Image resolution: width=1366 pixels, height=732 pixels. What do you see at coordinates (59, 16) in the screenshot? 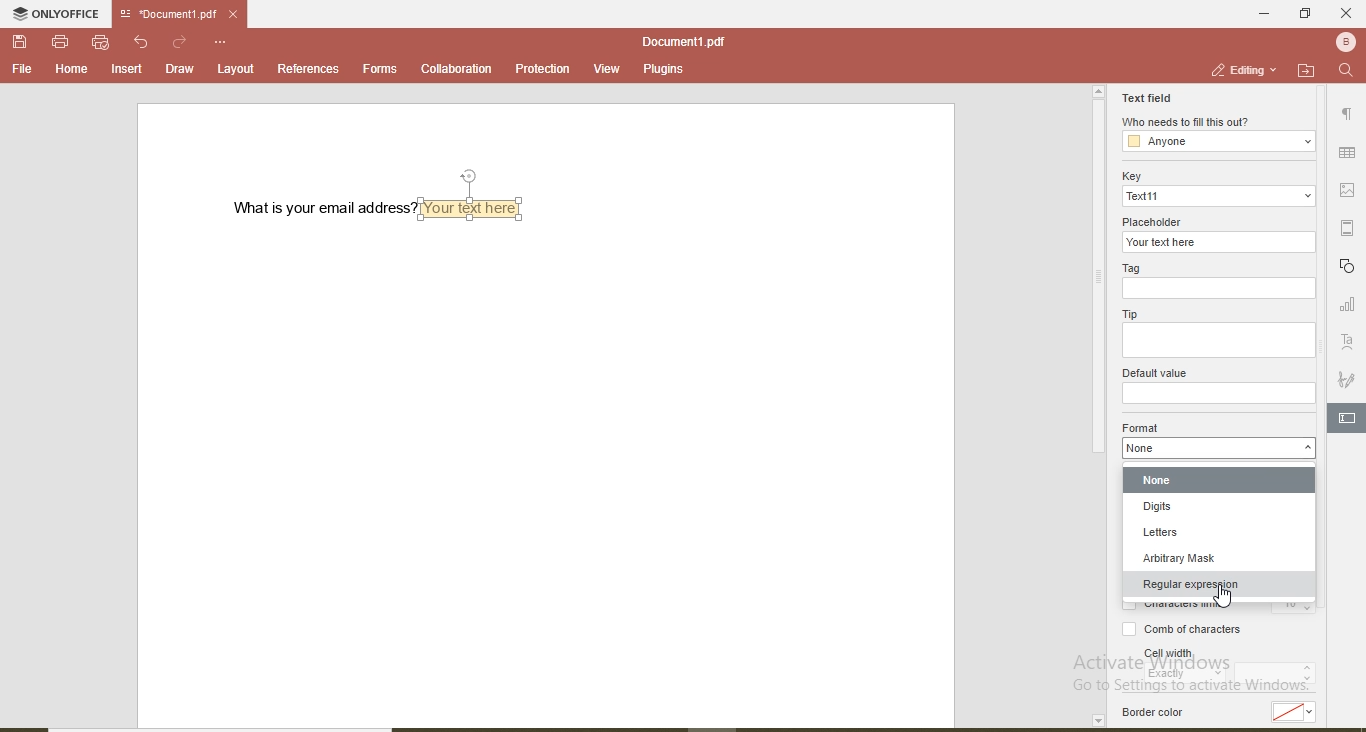
I see `onlyoffice` at bounding box center [59, 16].